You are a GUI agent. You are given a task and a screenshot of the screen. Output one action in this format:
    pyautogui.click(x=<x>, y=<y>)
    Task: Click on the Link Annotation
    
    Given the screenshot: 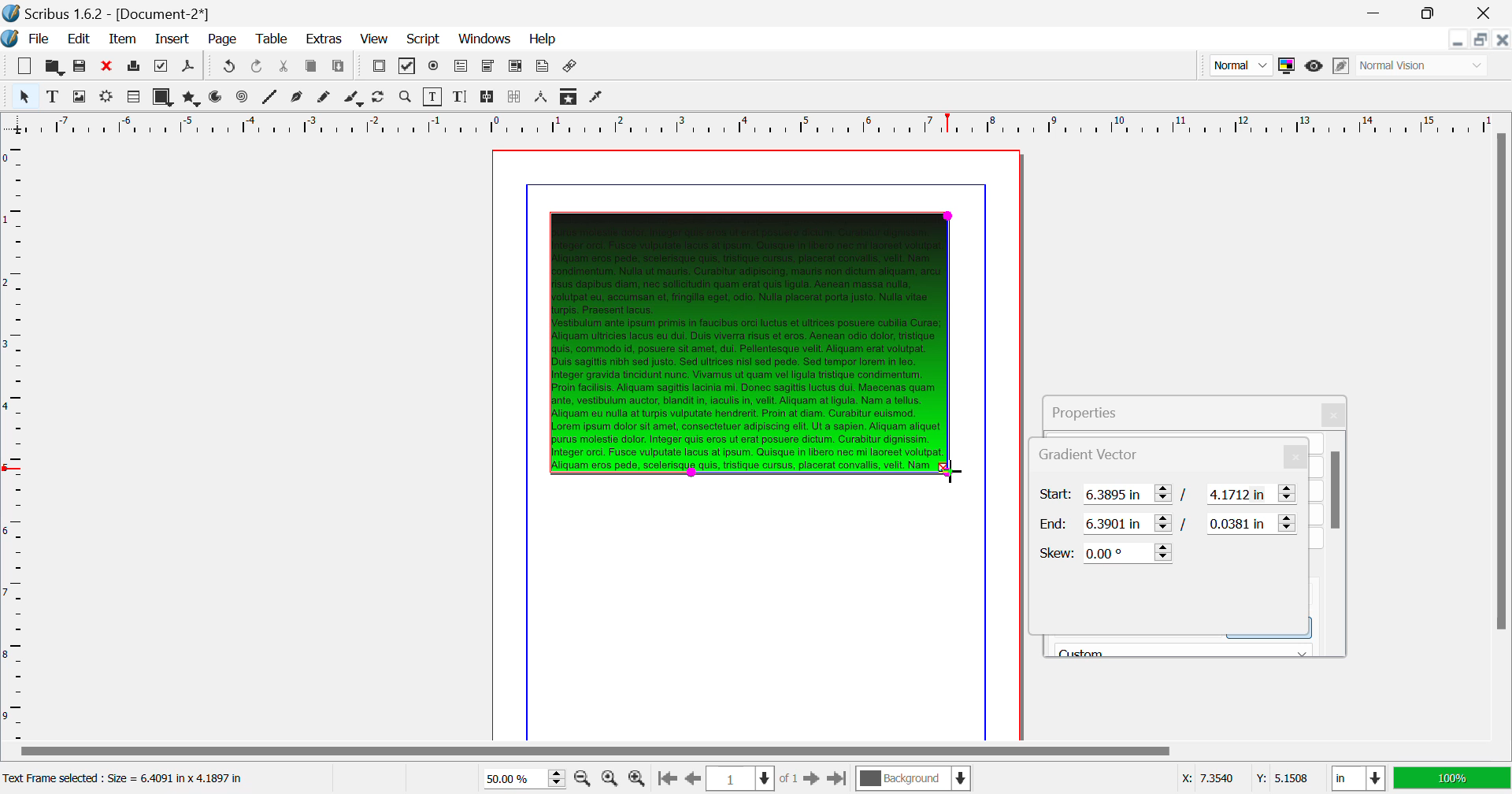 What is the action you would take?
    pyautogui.click(x=572, y=68)
    